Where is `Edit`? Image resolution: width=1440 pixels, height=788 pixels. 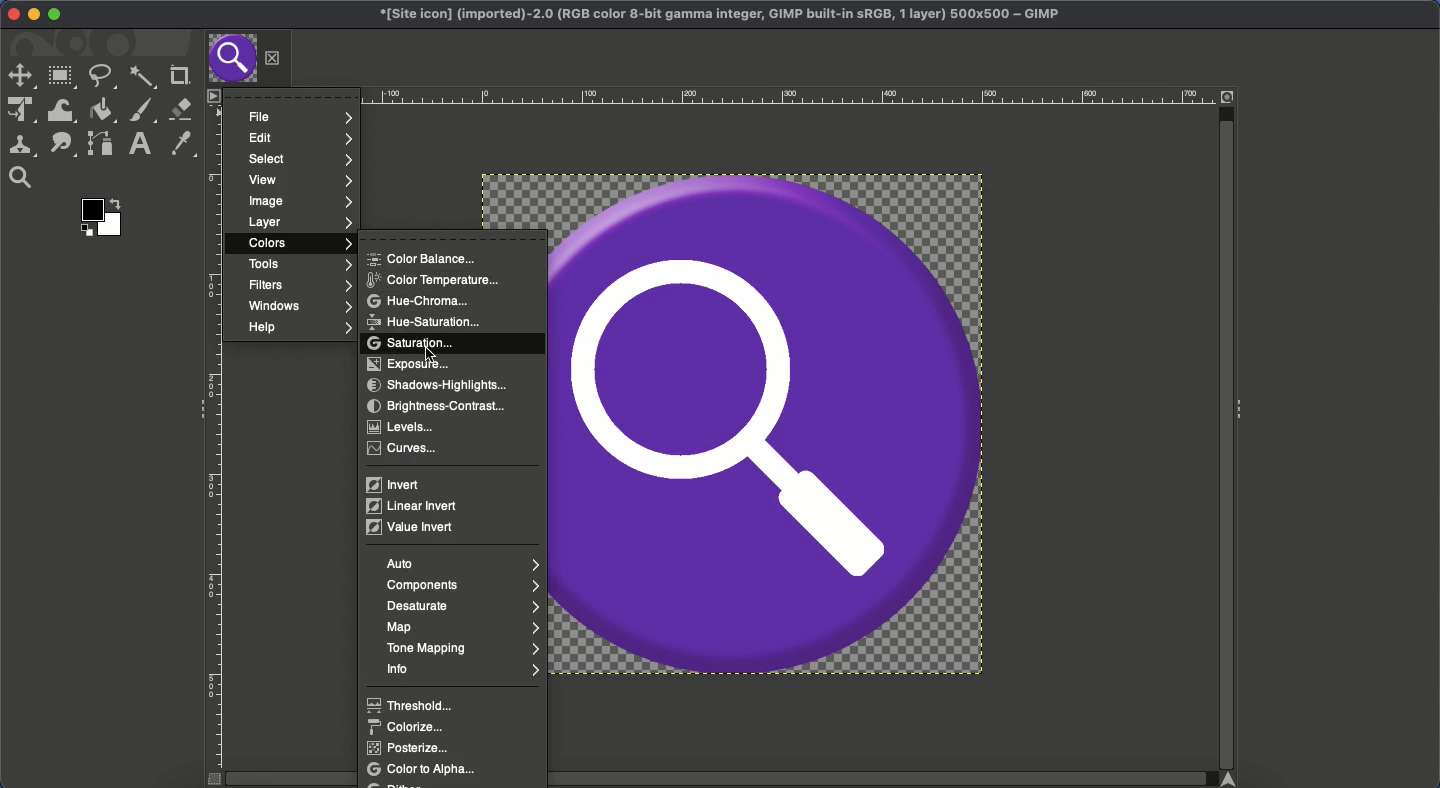 Edit is located at coordinates (299, 139).